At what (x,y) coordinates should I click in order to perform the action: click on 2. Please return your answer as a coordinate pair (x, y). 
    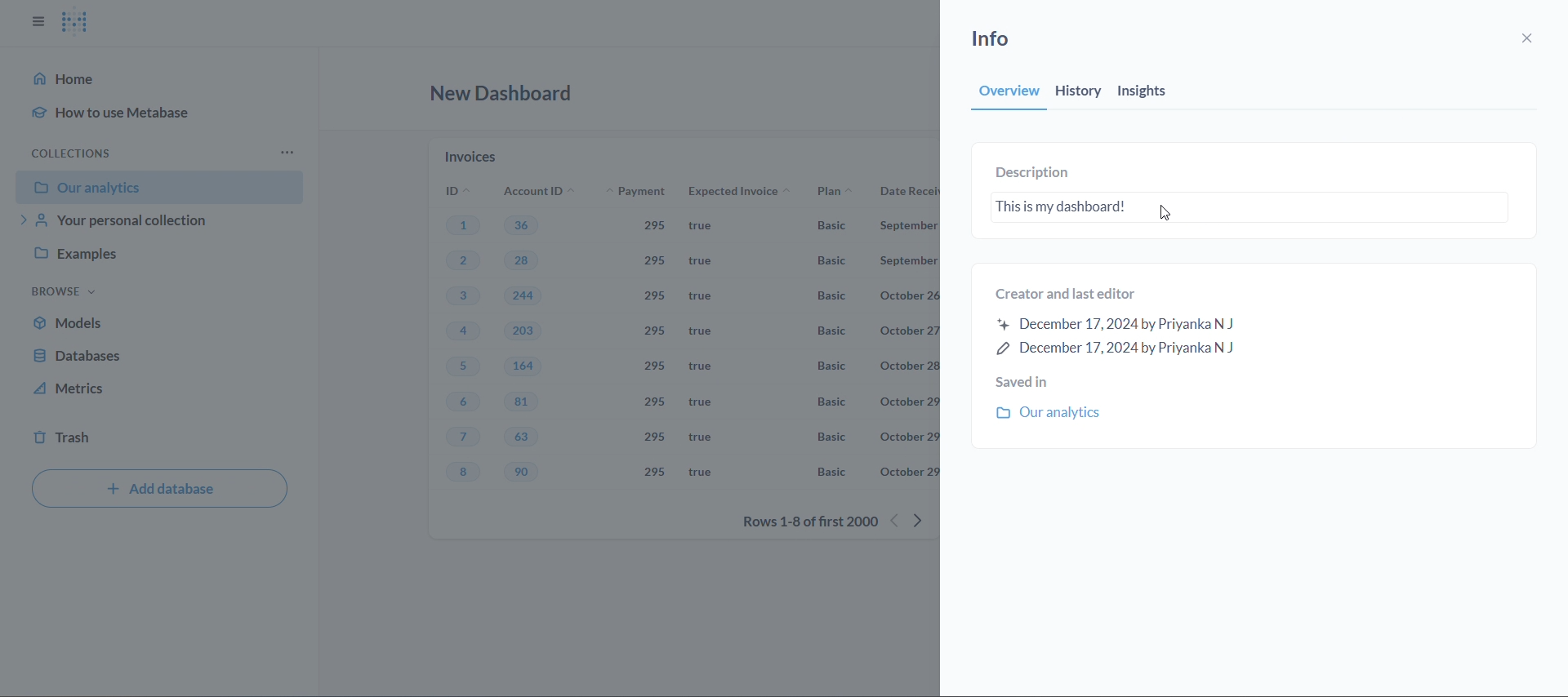
    Looking at the image, I should click on (465, 260).